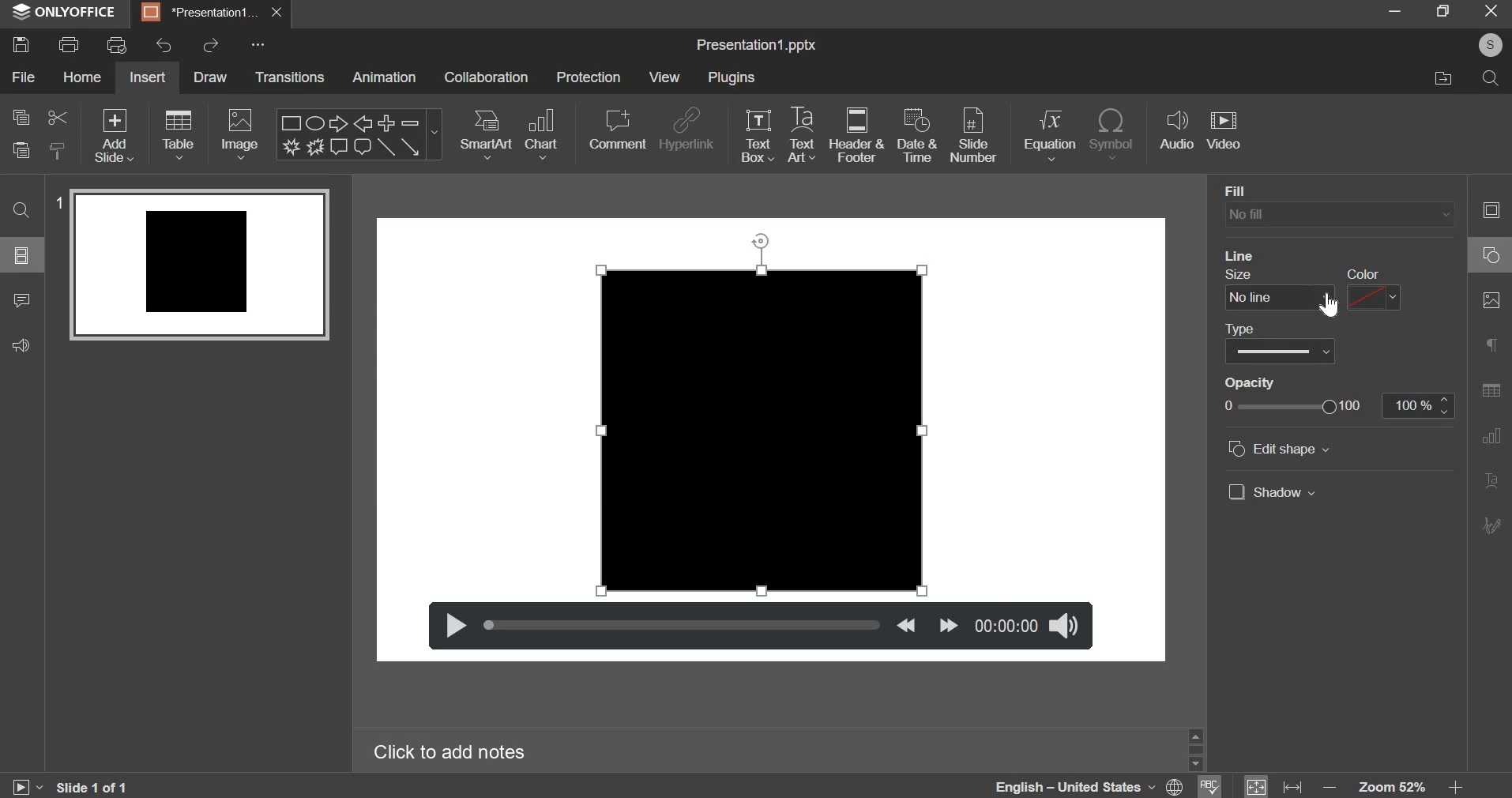 This screenshot has width=1512, height=798. What do you see at coordinates (1493, 81) in the screenshot?
I see `search` at bounding box center [1493, 81].